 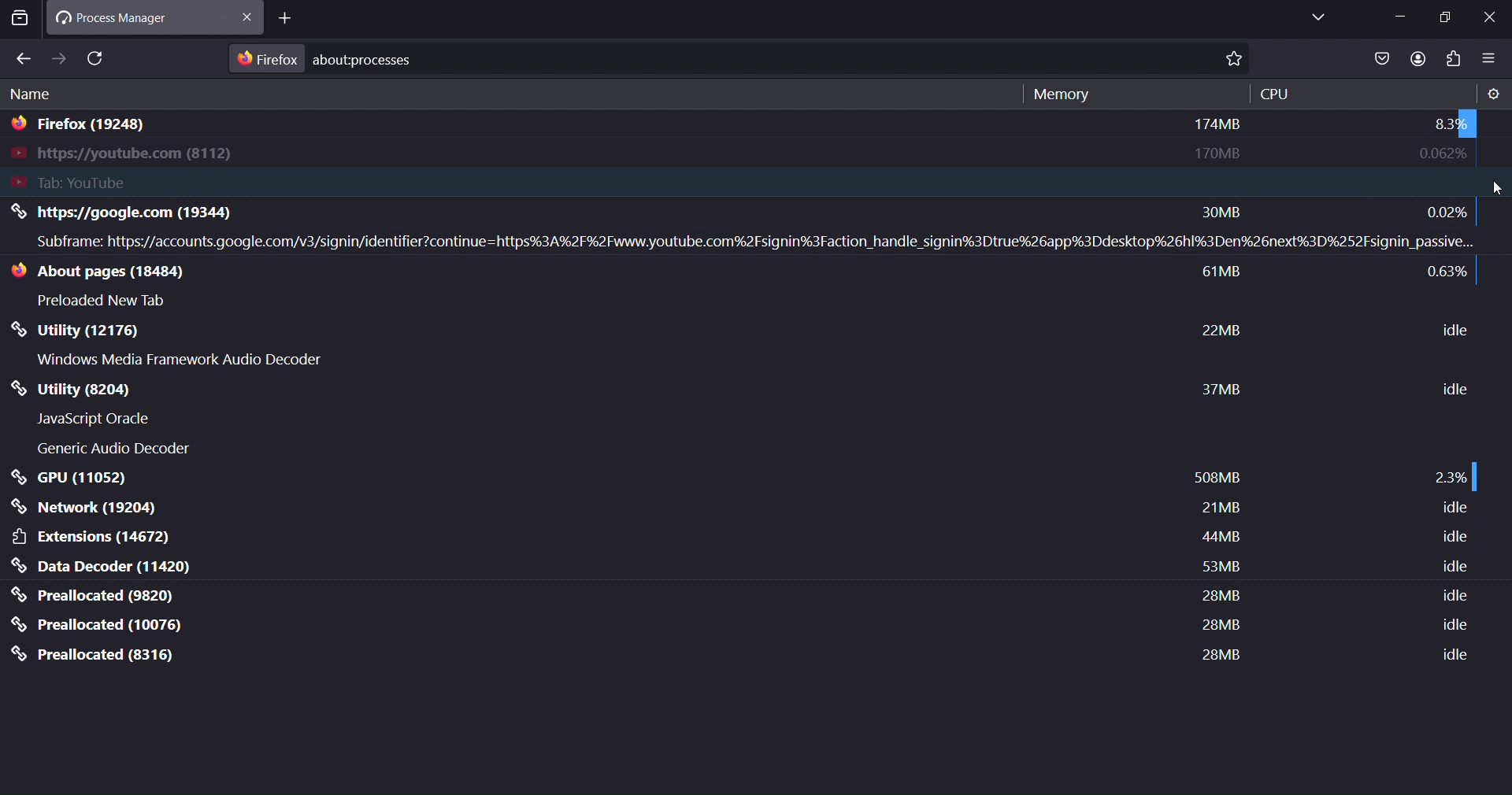 I want to click on data decoder, so click(x=106, y=566).